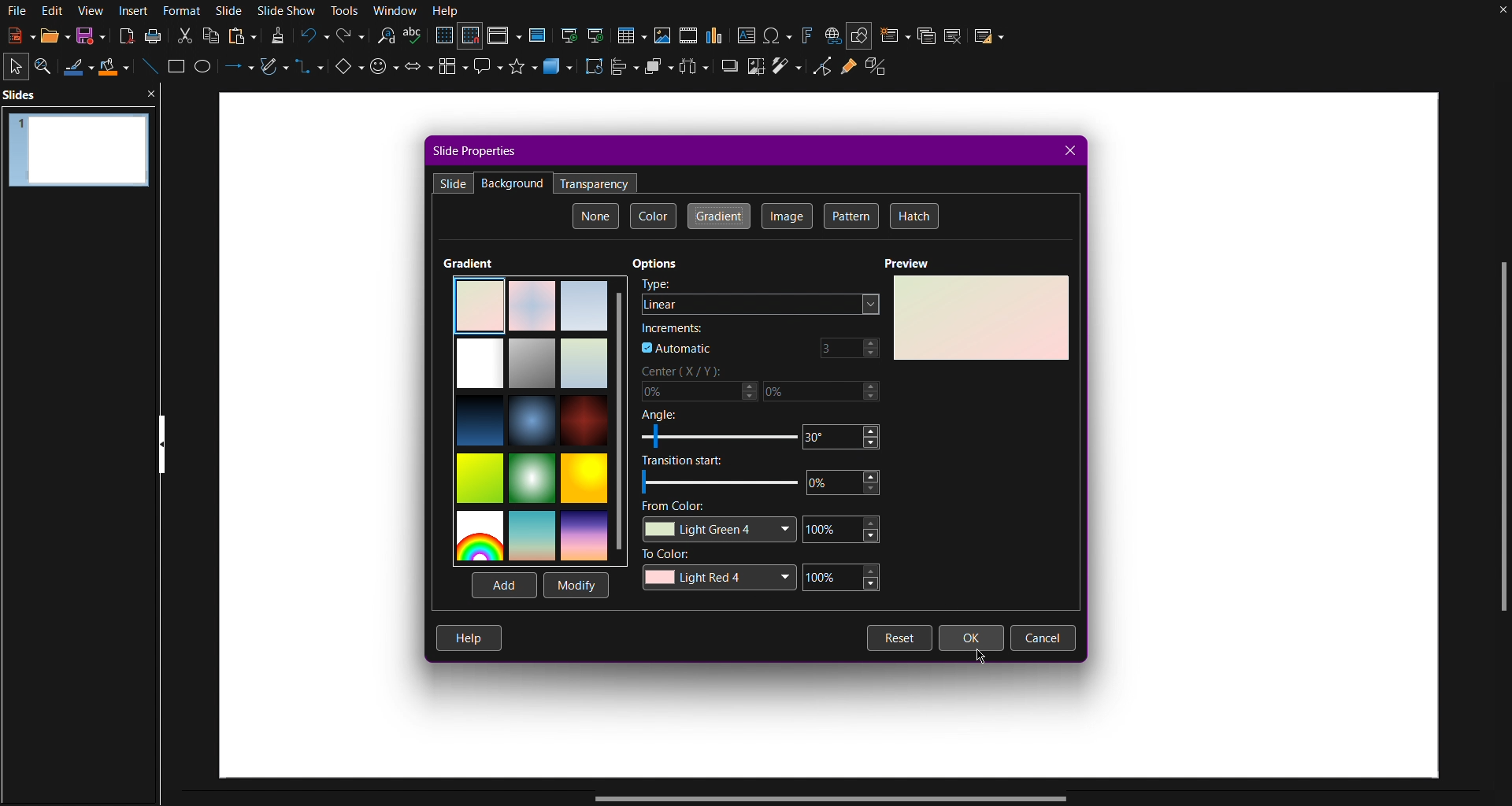 This screenshot has height=806, width=1512. Describe the element at coordinates (475, 150) in the screenshot. I see `Slide Properties` at that location.